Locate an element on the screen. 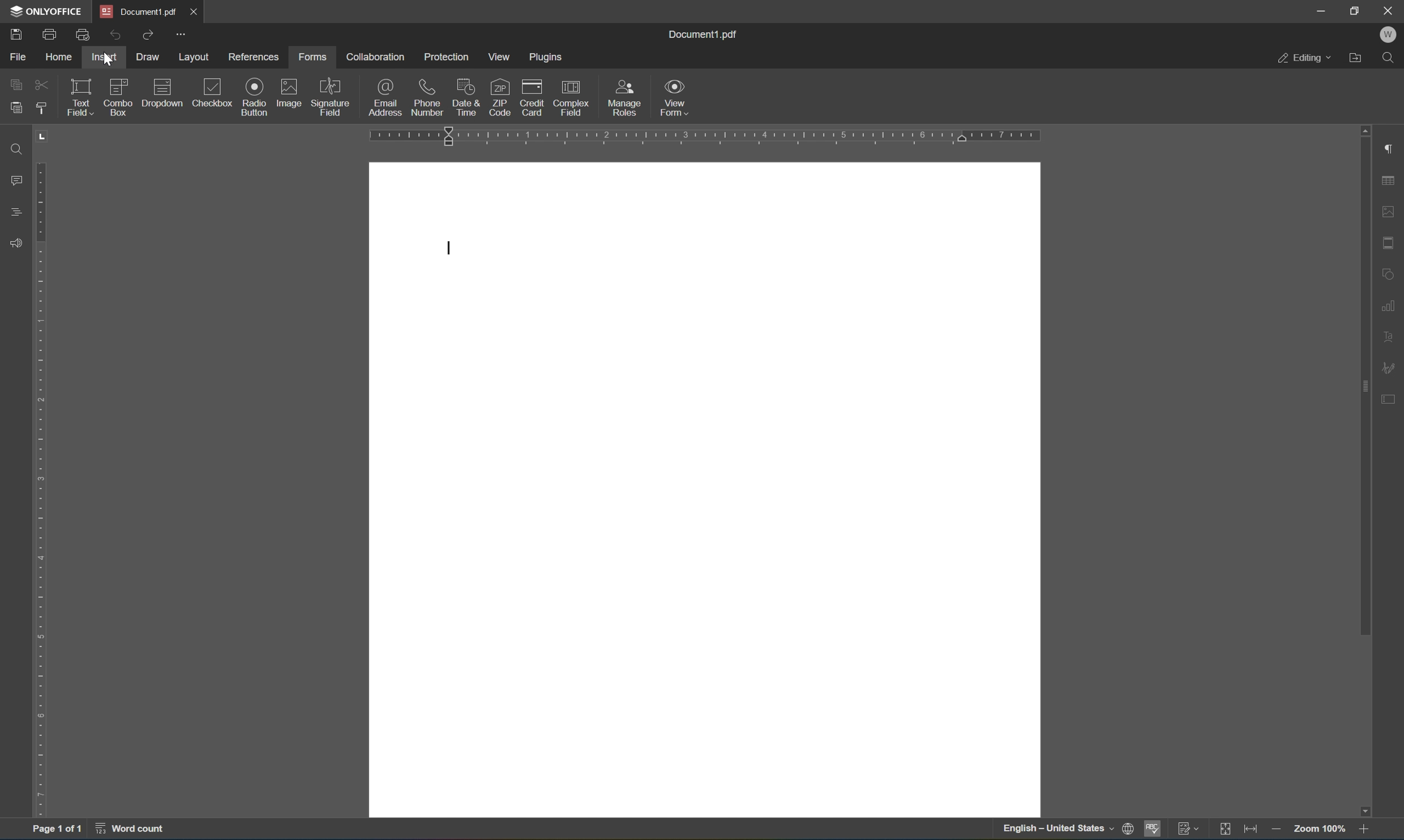  zoom in is located at coordinates (1279, 830).